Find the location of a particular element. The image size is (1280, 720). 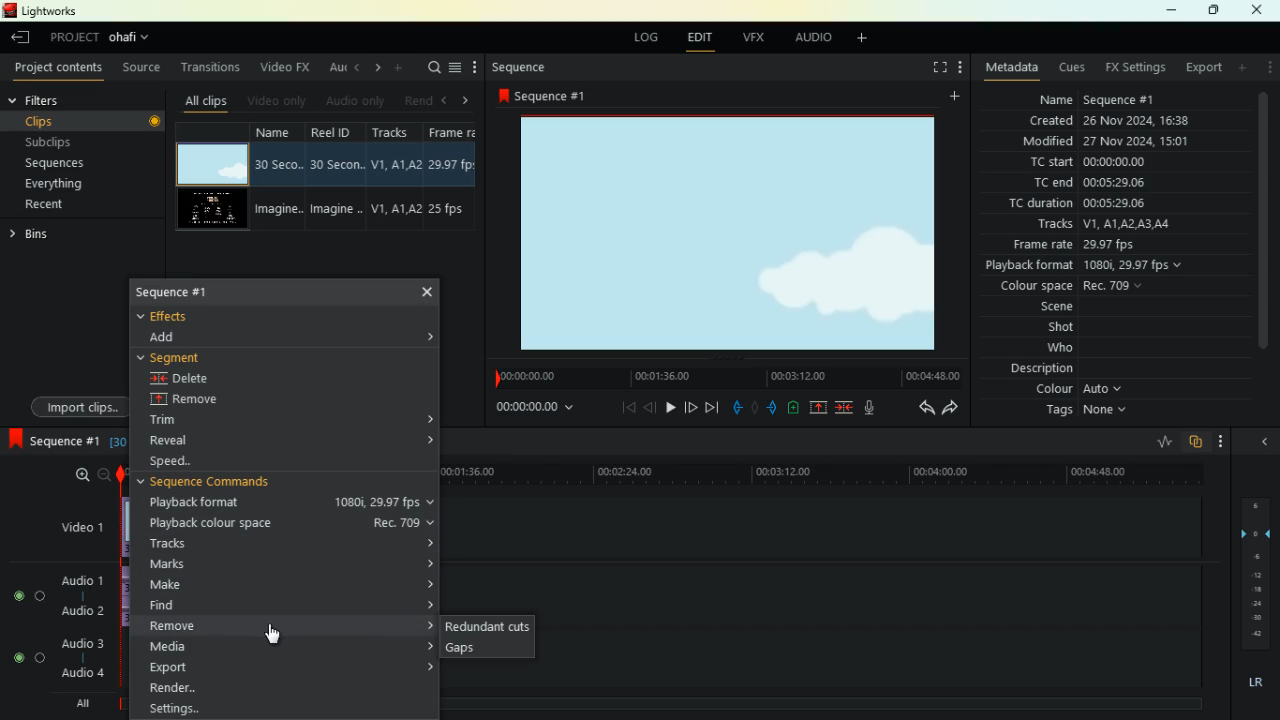

tracks V1, A1, A2, A3, A4 is located at coordinates (1113, 225).